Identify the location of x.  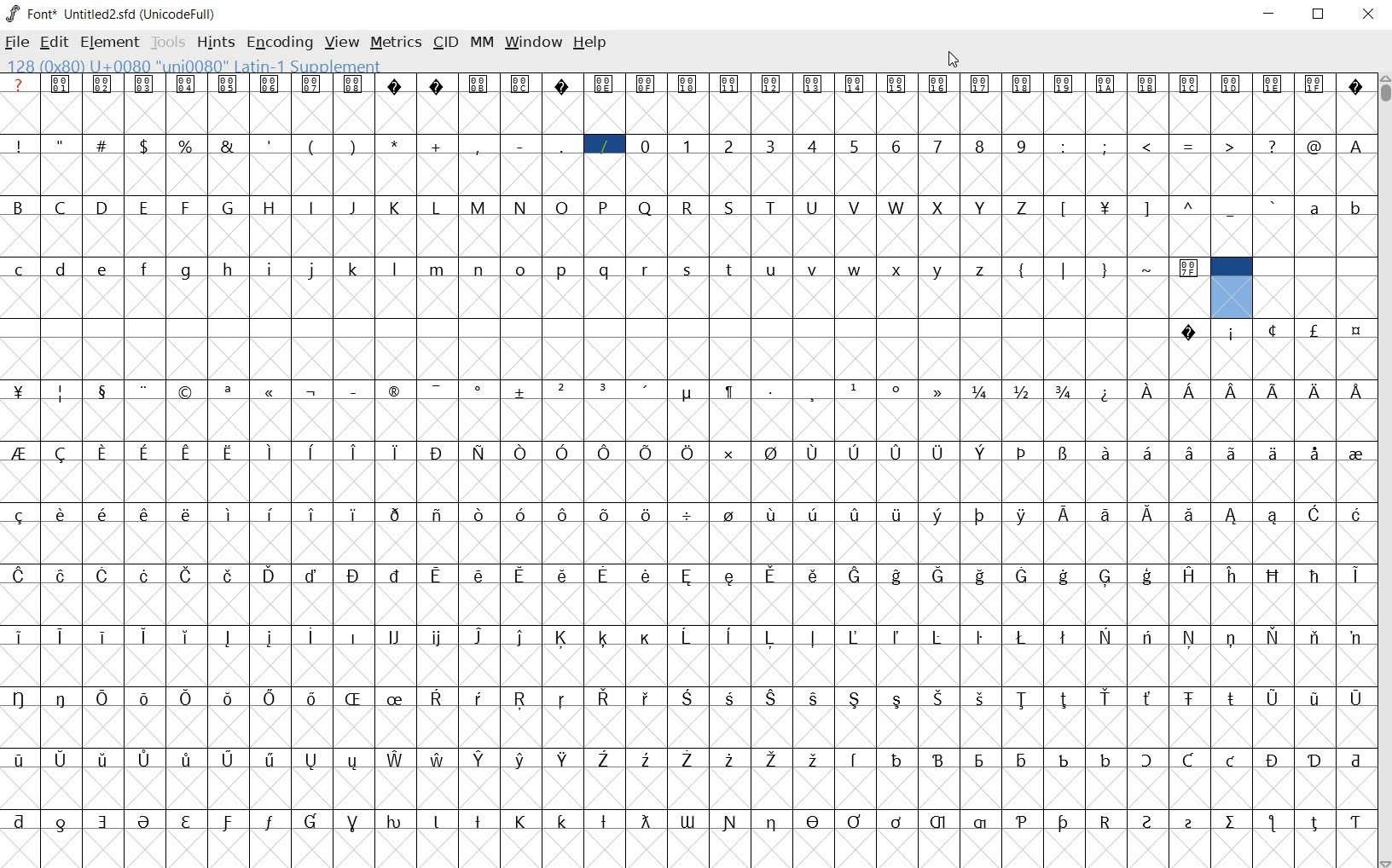
(898, 268).